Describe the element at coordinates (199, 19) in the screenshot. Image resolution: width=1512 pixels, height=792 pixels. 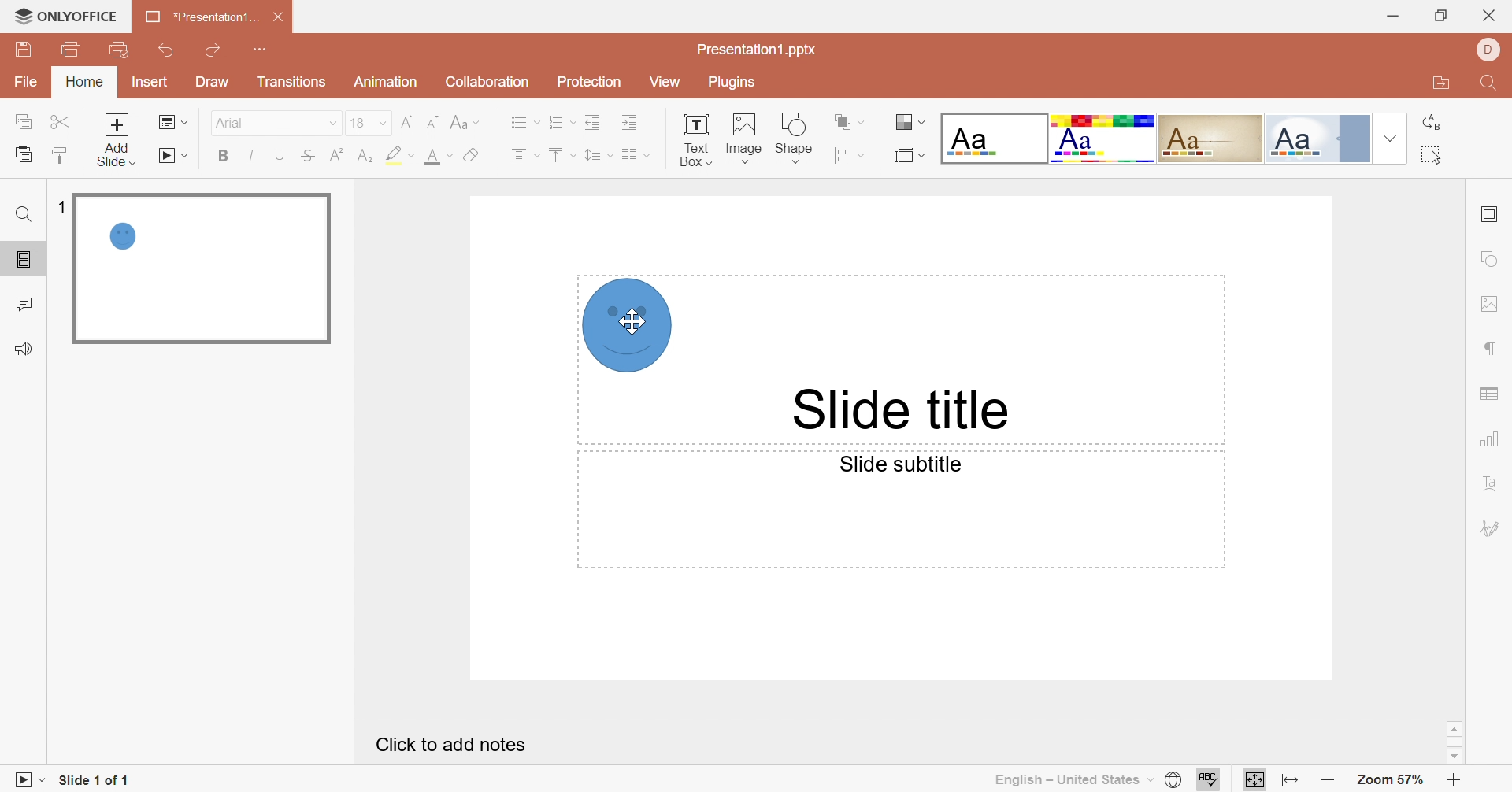
I see `*Presentation1` at that location.